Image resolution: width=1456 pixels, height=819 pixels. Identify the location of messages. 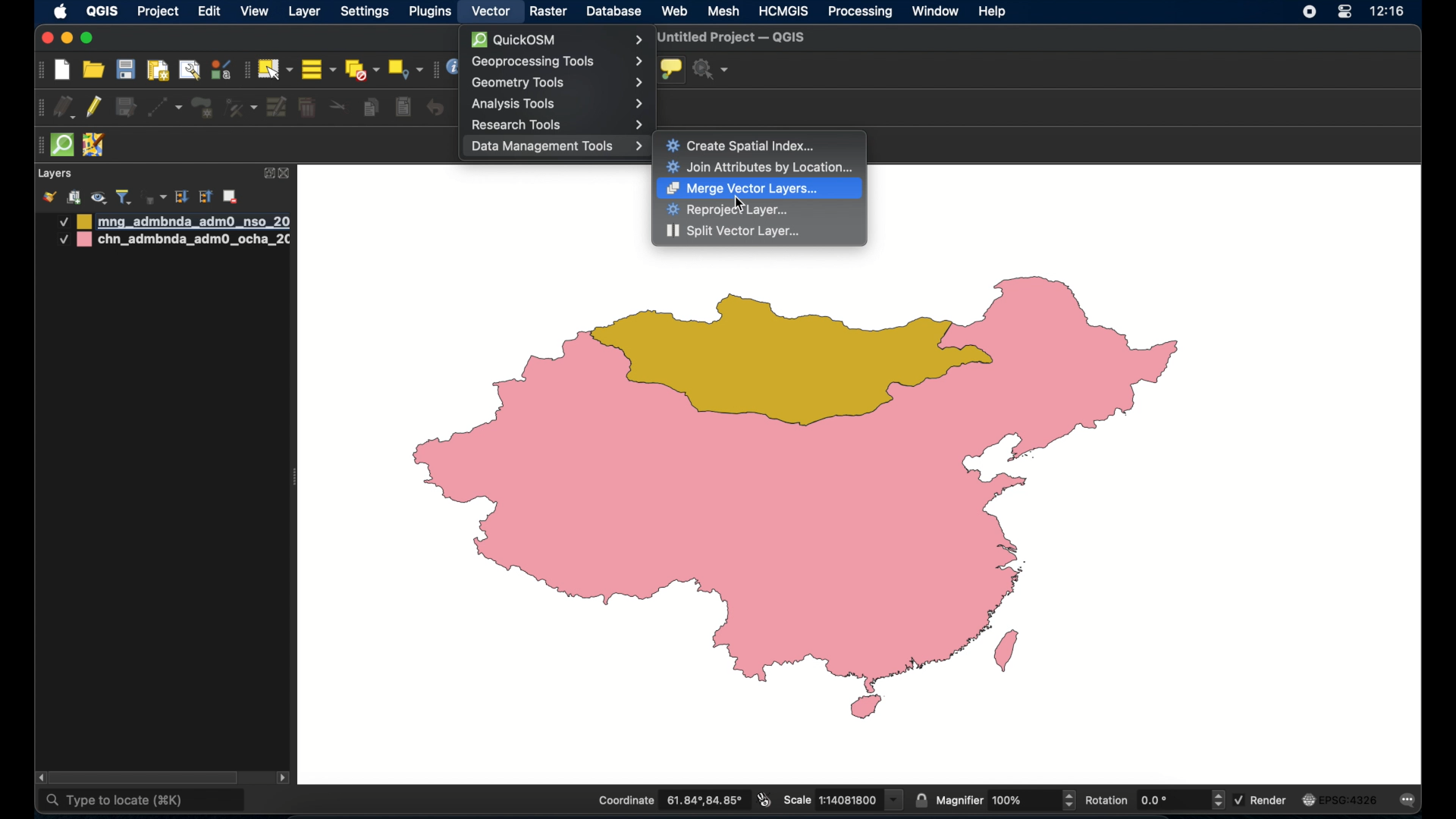
(1410, 802).